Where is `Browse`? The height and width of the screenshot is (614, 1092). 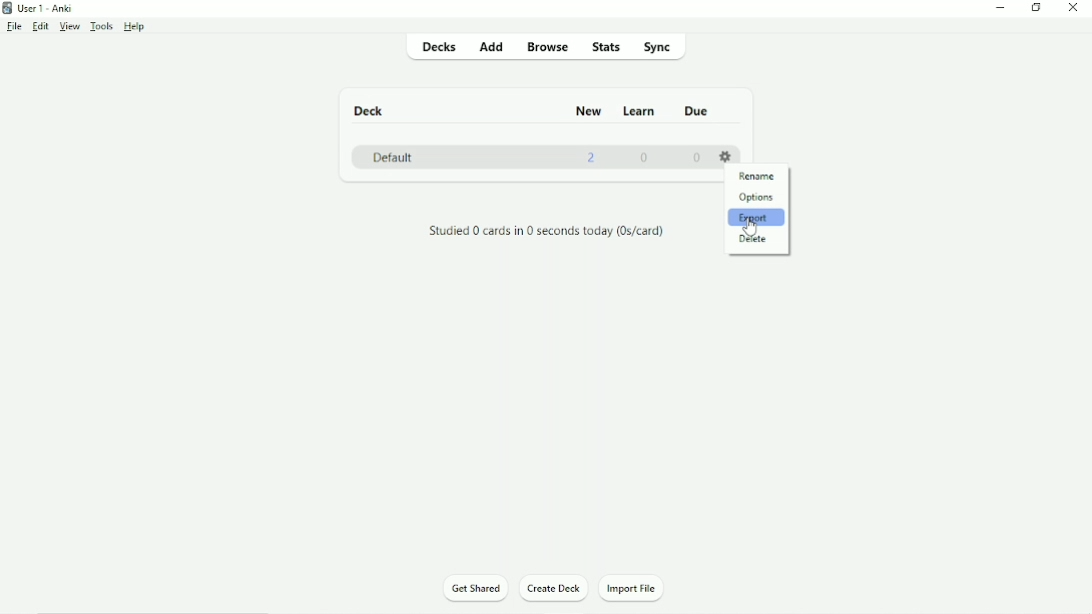
Browse is located at coordinates (544, 46).